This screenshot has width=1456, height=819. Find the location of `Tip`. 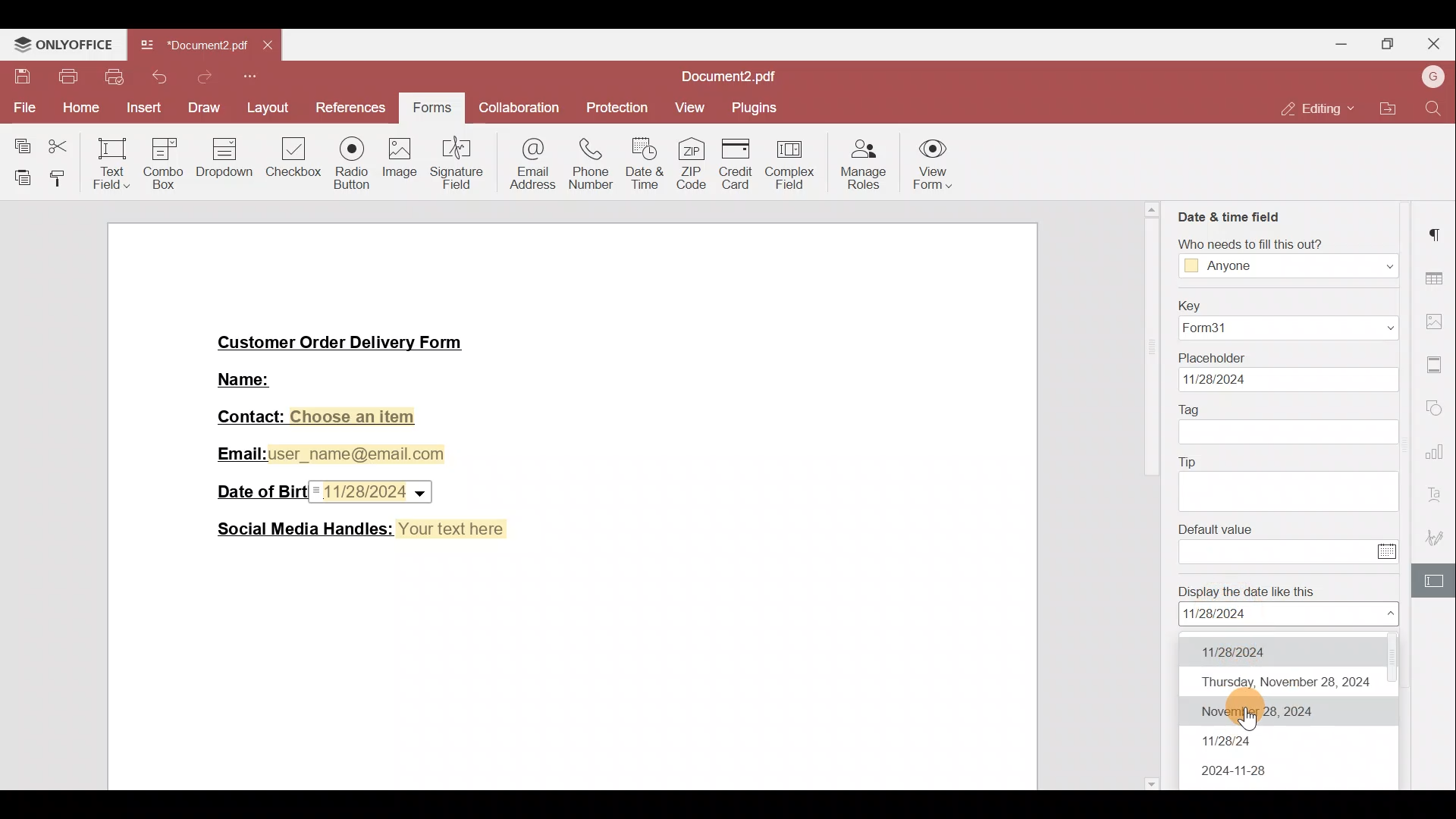

Tip is located at coordinates (1188, 462).